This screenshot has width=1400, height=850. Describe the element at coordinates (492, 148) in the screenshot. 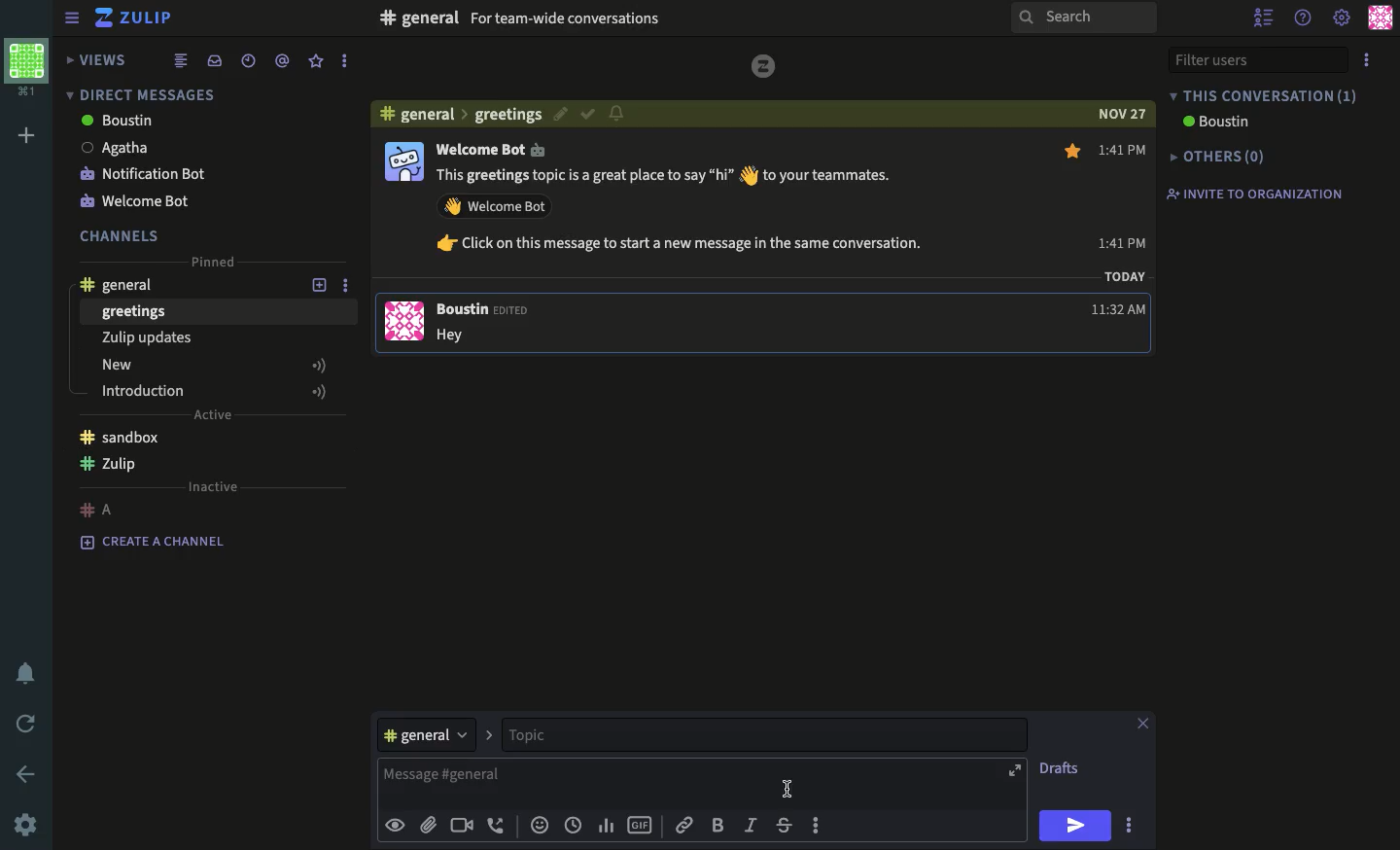

I see `Welcome Bot` at that location.